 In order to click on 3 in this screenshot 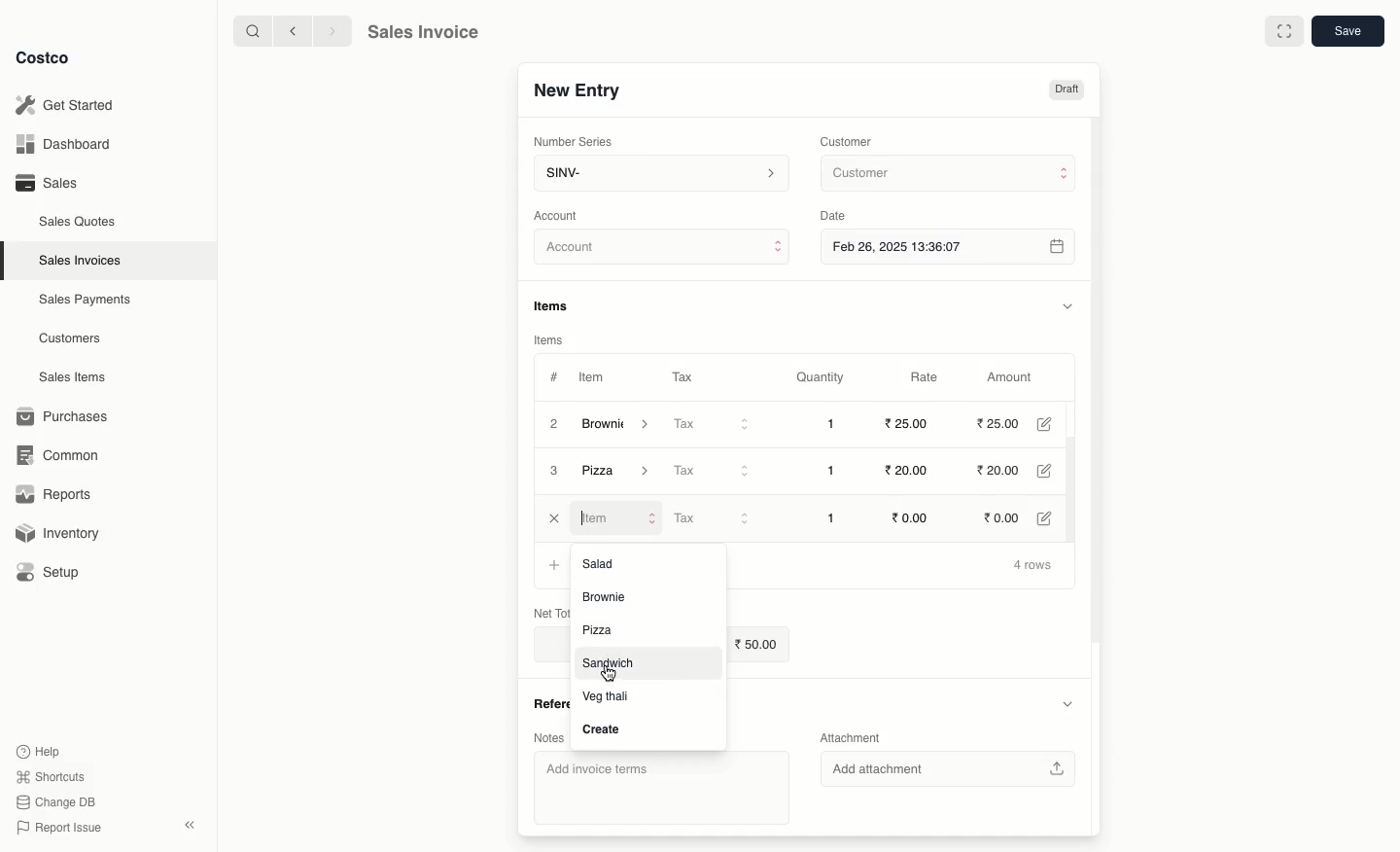, I will do `click(555, 472)`.